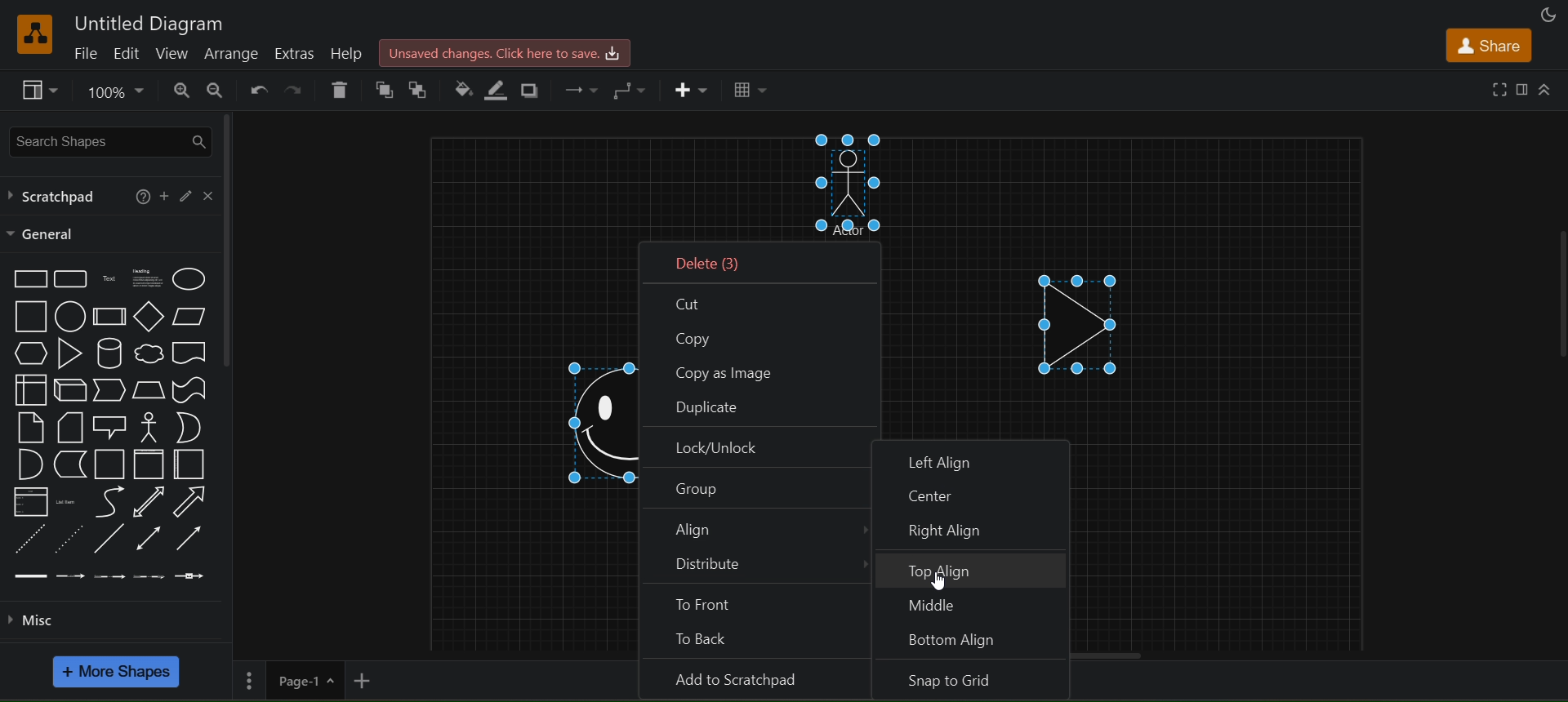 The height and width of the screenshot is (702, 1568). Describe the element at coordinates (759, 407) in the screenshot. I see `duplicate` at that location.